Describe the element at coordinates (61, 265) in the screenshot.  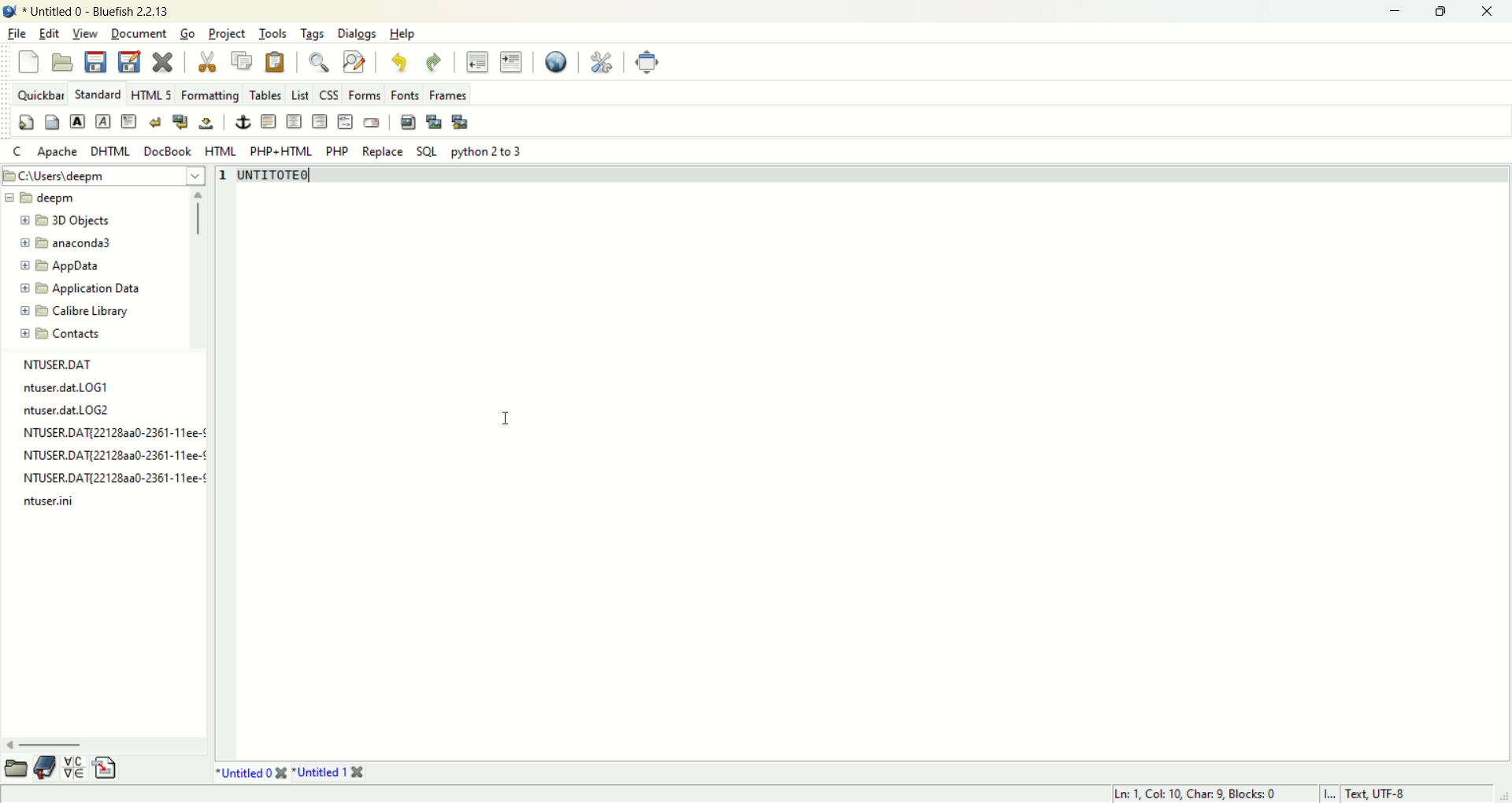
I see `app` at that location.